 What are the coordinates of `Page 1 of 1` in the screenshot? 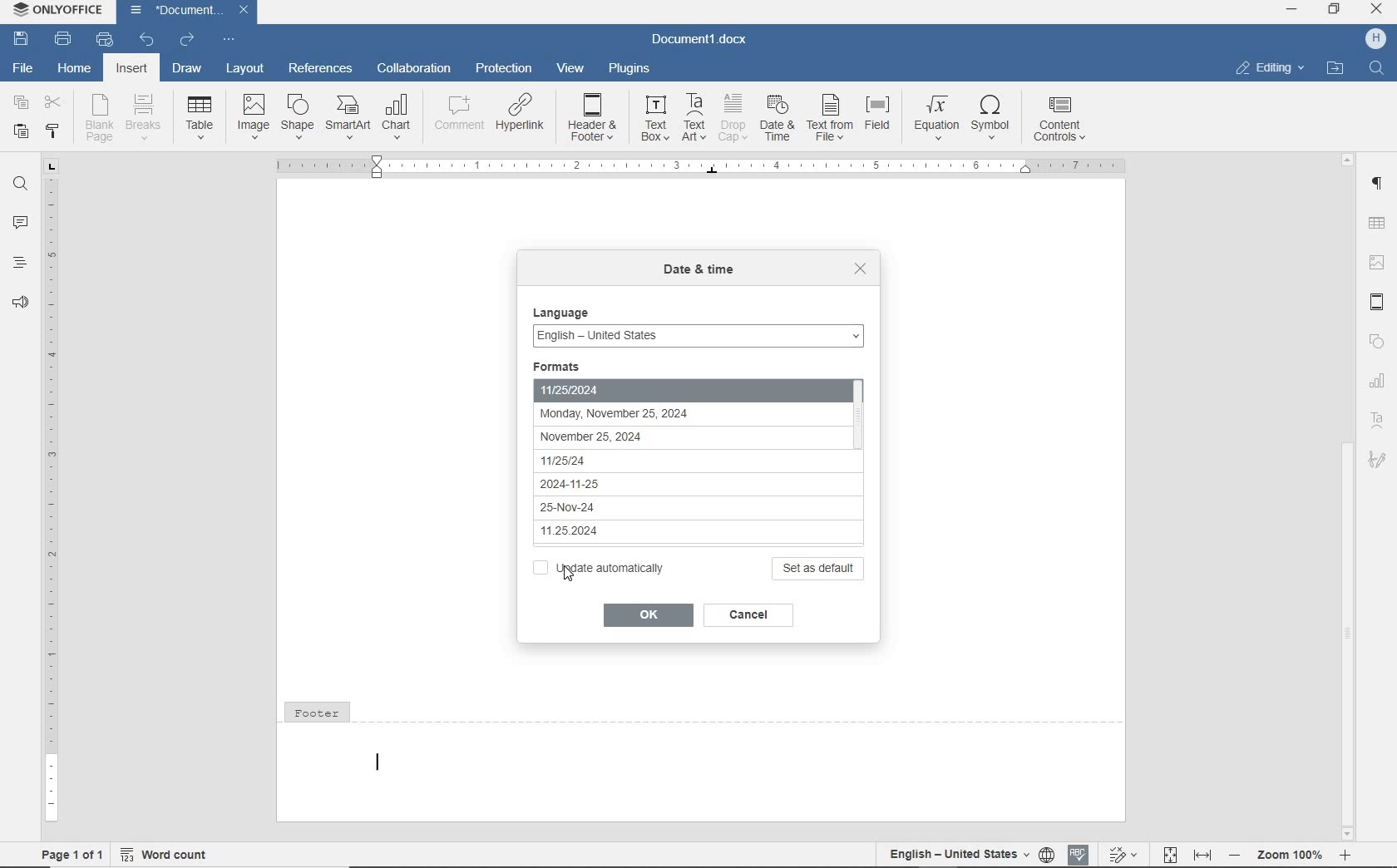 It's located at (66, 854).